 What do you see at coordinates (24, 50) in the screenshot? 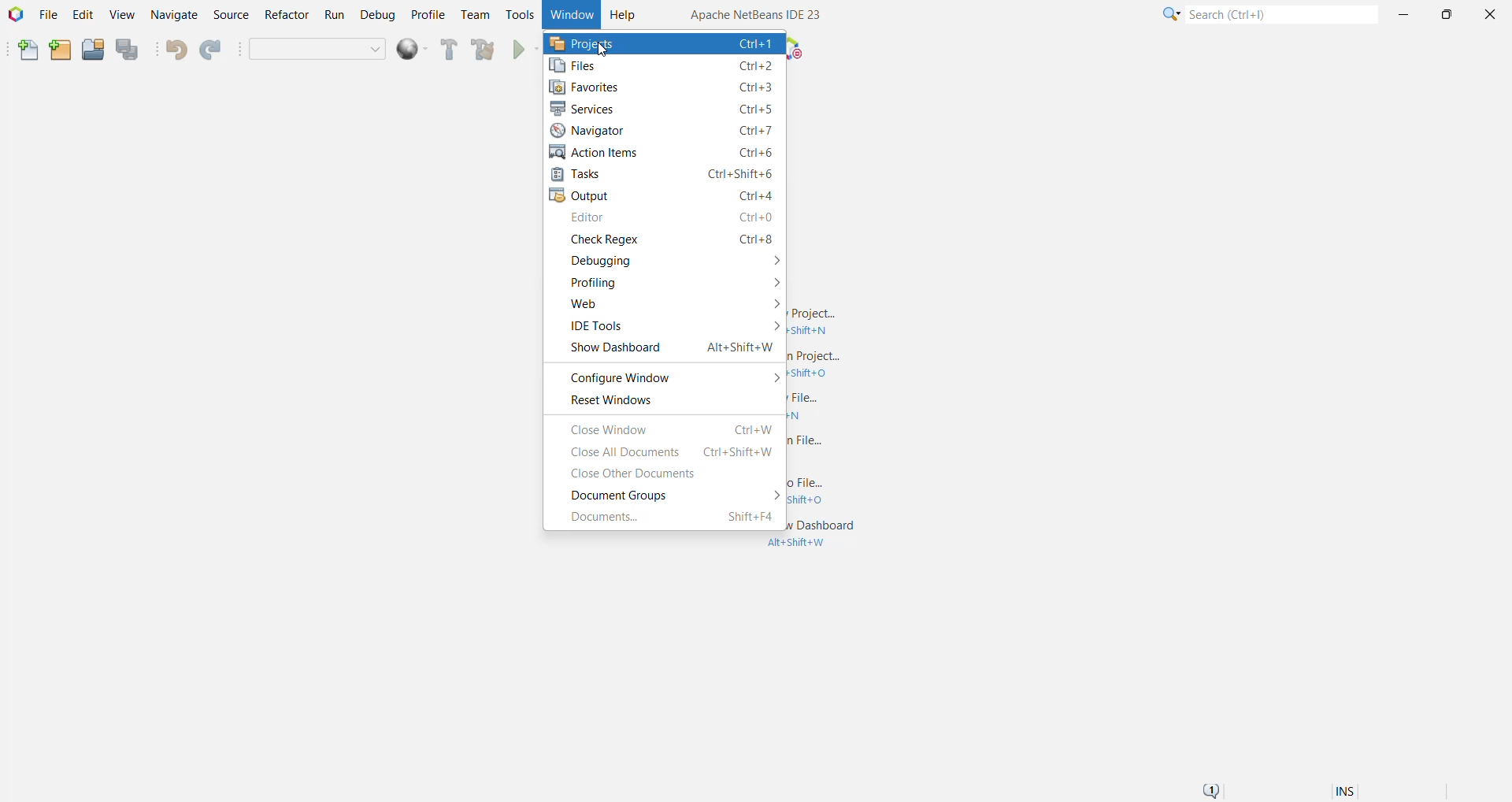
I see `New File` at bounding box center [24, 50].